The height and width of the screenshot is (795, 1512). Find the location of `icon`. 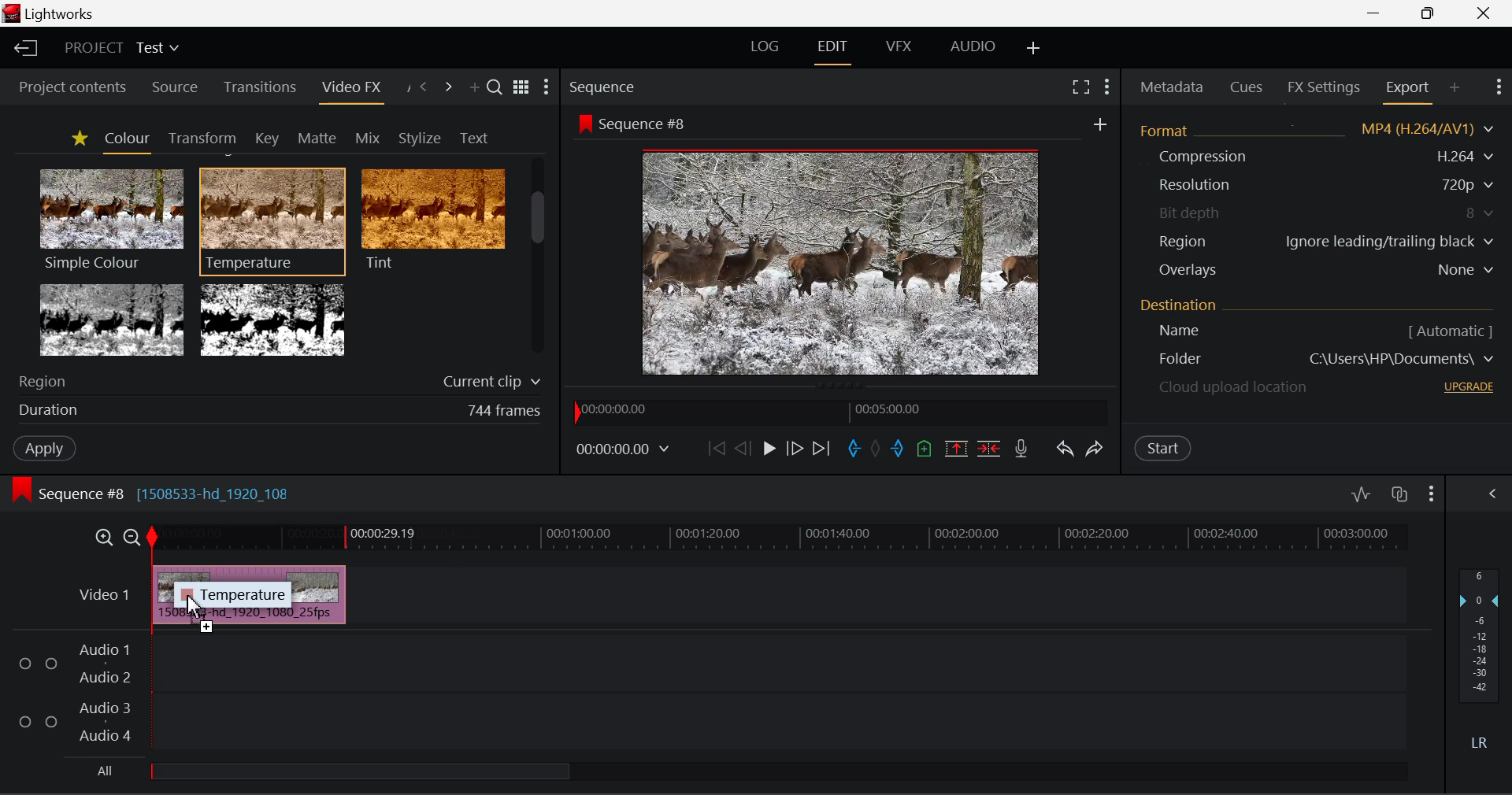

icon is located at coordinates (22, 490).